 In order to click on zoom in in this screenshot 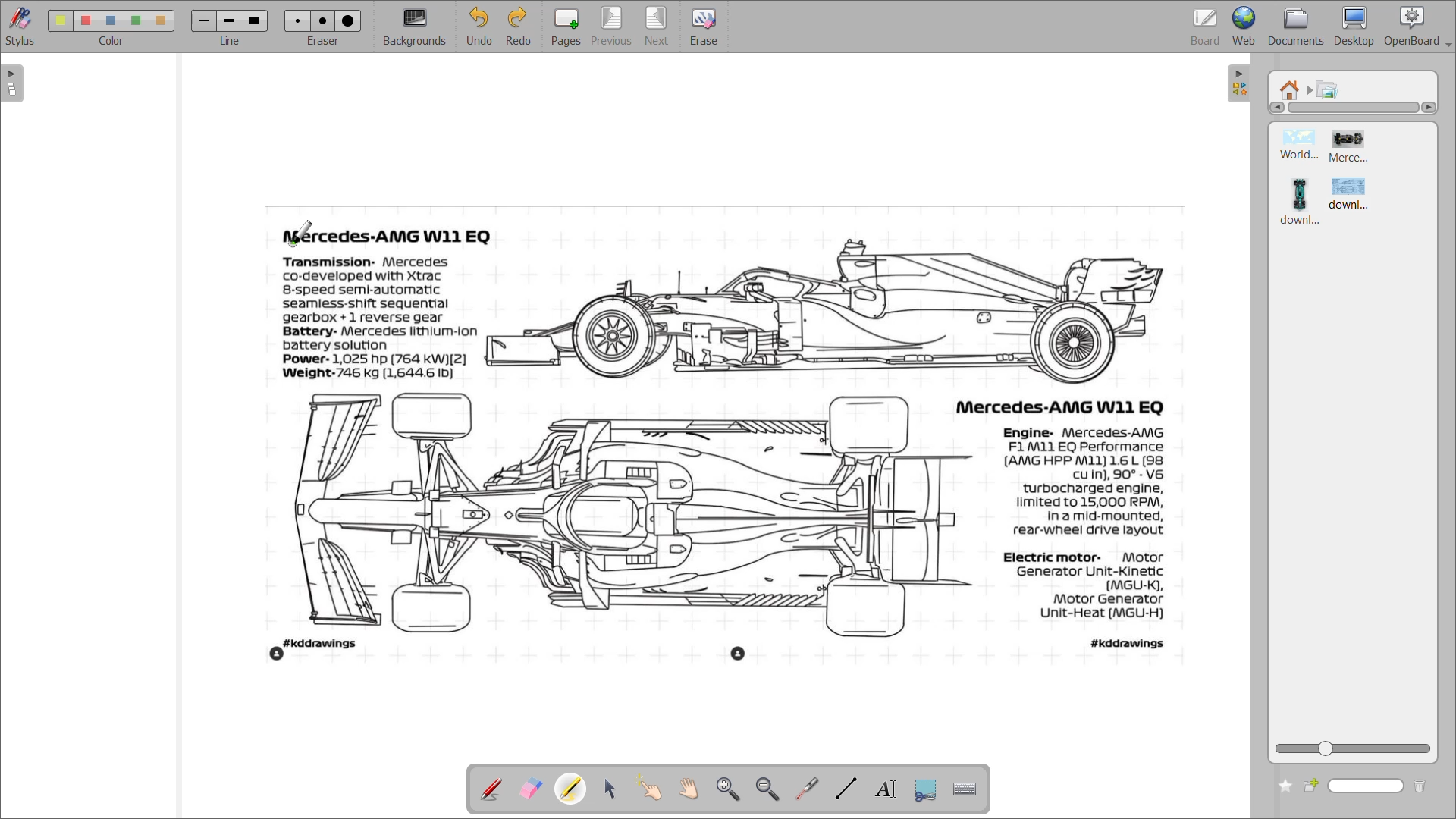, I will do `click(733, 789)`.